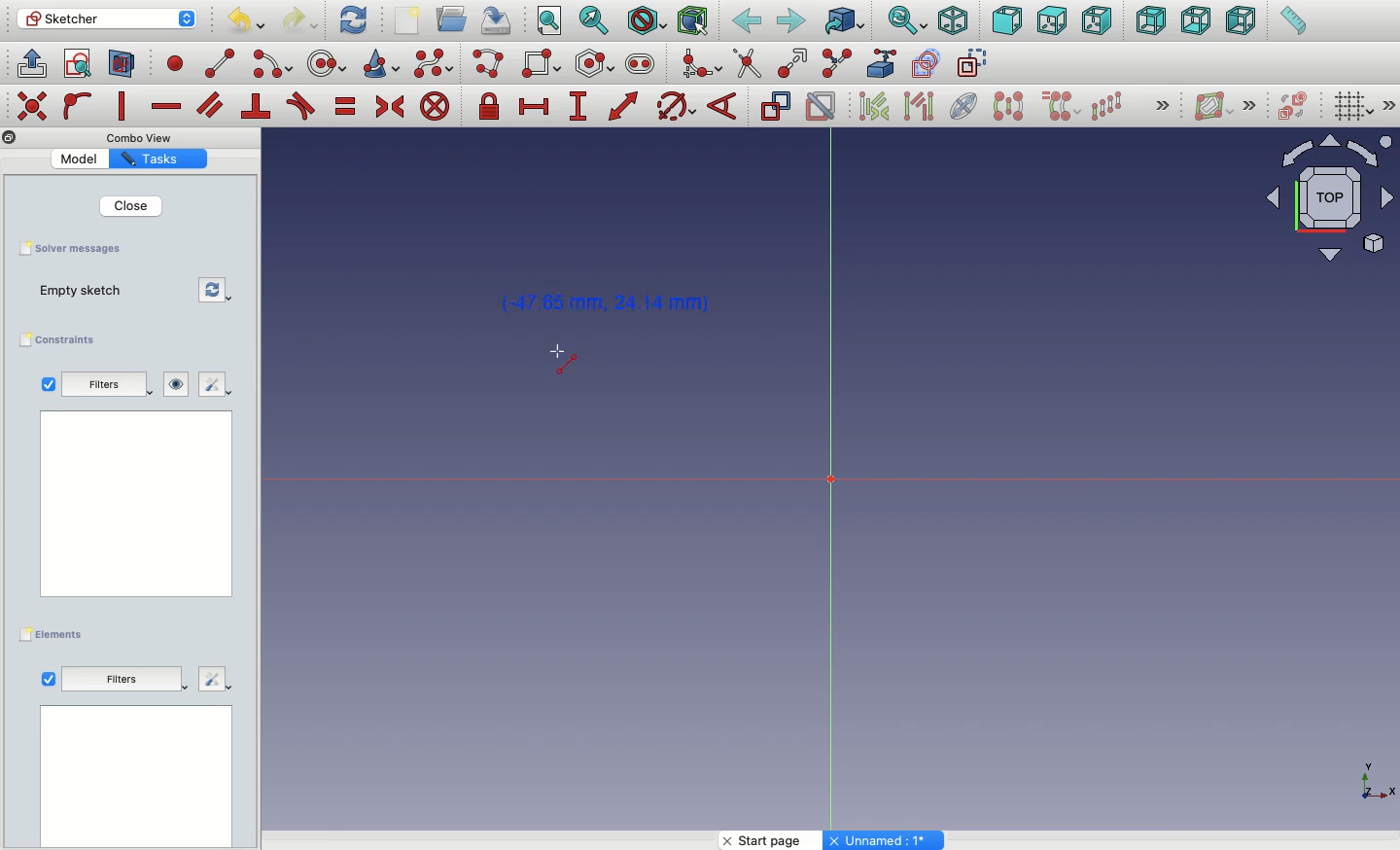 The width and height of the screenshot is (1400, 850). What do you see at coordinates (965, 105) in the screenshot?
I see `Internal geometry` at bounding box center [965, 105].